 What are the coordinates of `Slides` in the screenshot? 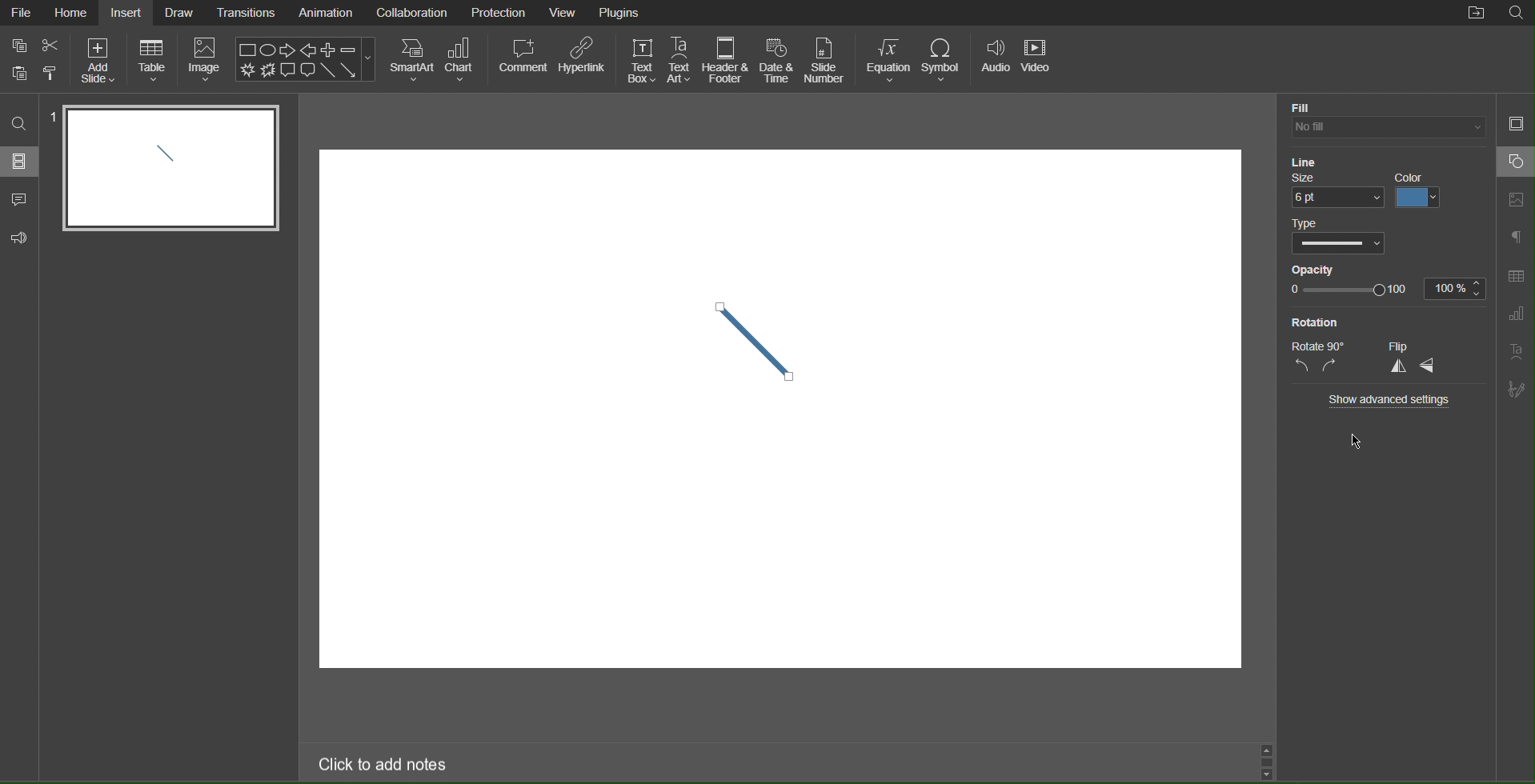 It's located at (21, 161).